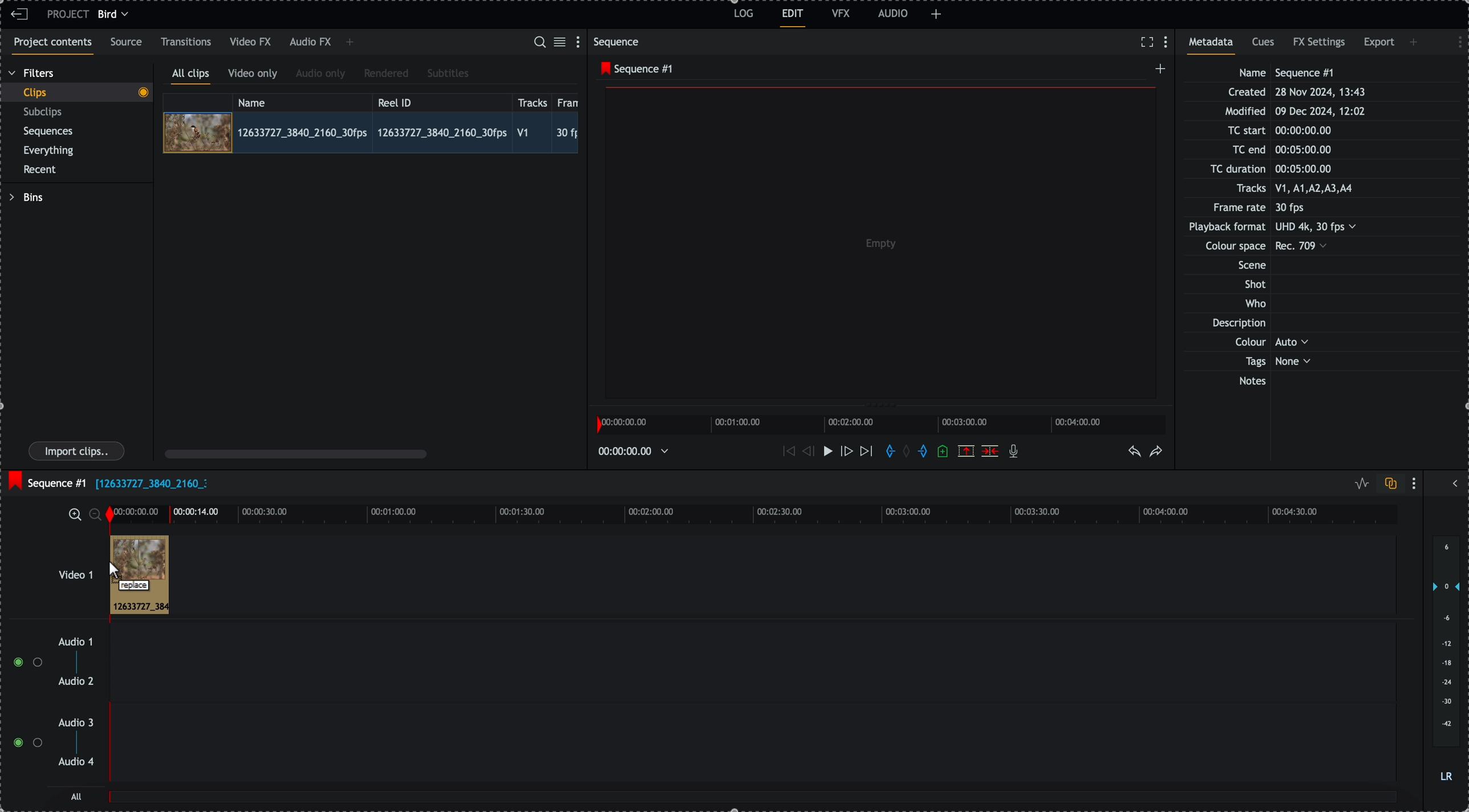  I want to click on all clips, so click(191, 76).